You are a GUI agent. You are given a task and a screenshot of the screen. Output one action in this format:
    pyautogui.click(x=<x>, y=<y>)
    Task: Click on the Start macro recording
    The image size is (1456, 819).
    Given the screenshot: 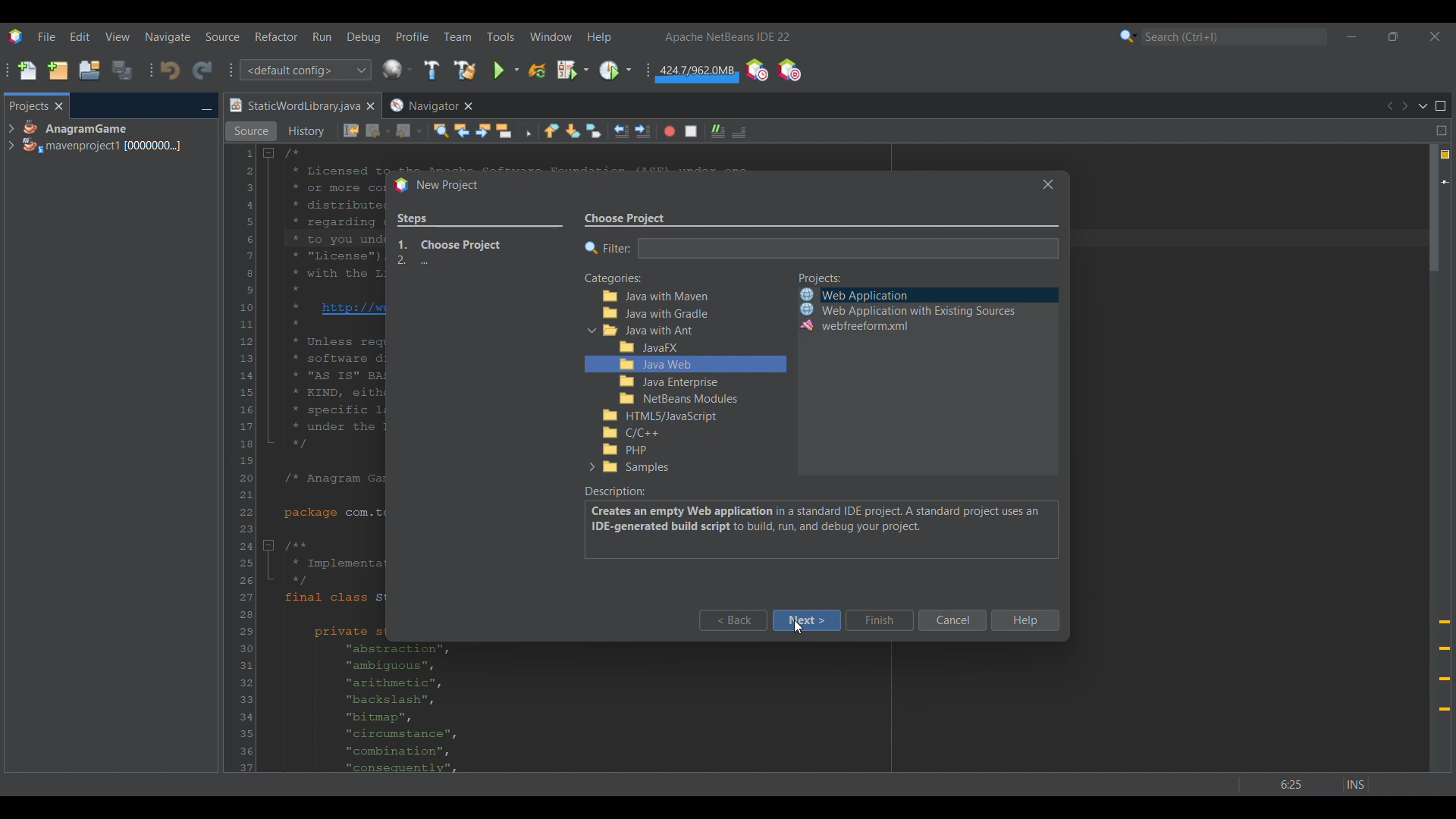 What is the action you would take?
    pyautogui.click(x=670, y=131)
    